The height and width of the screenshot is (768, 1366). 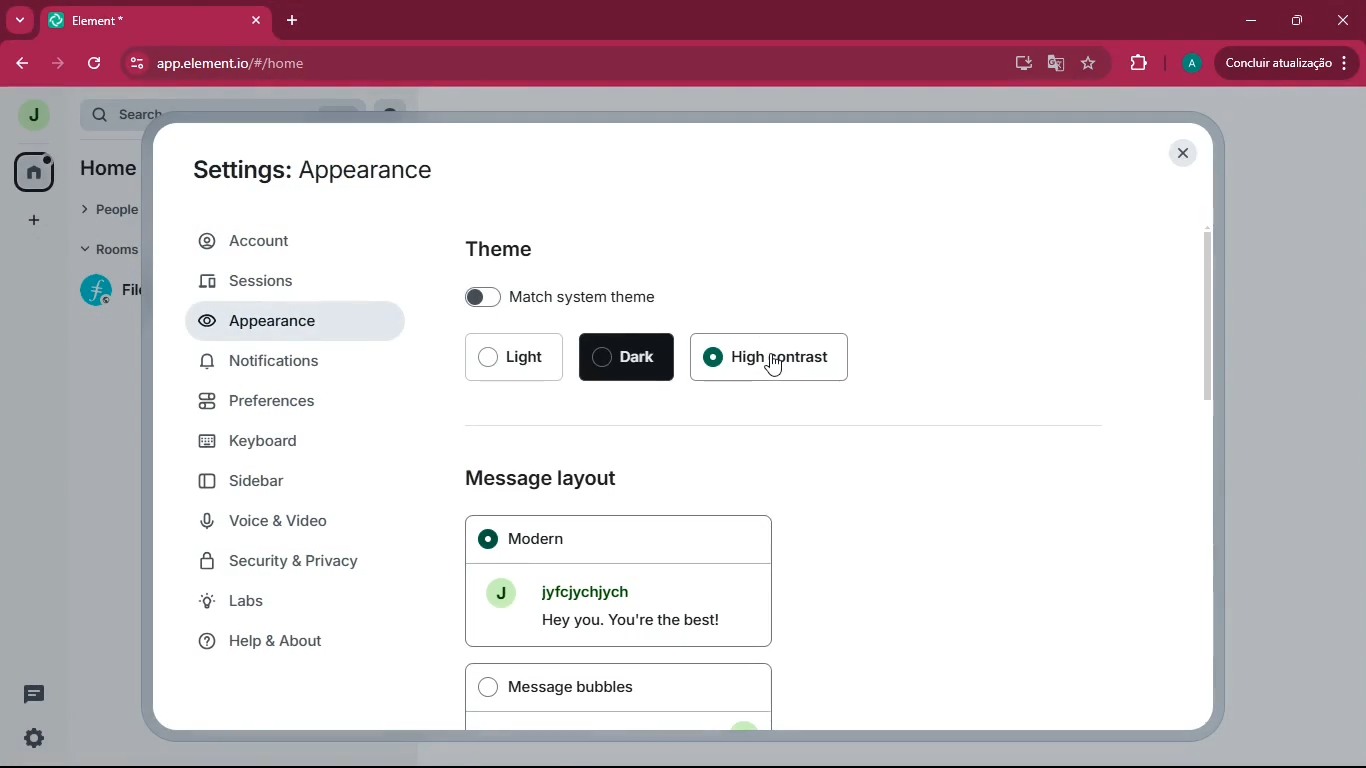 I want to click on home, so click(x=31, y=171).